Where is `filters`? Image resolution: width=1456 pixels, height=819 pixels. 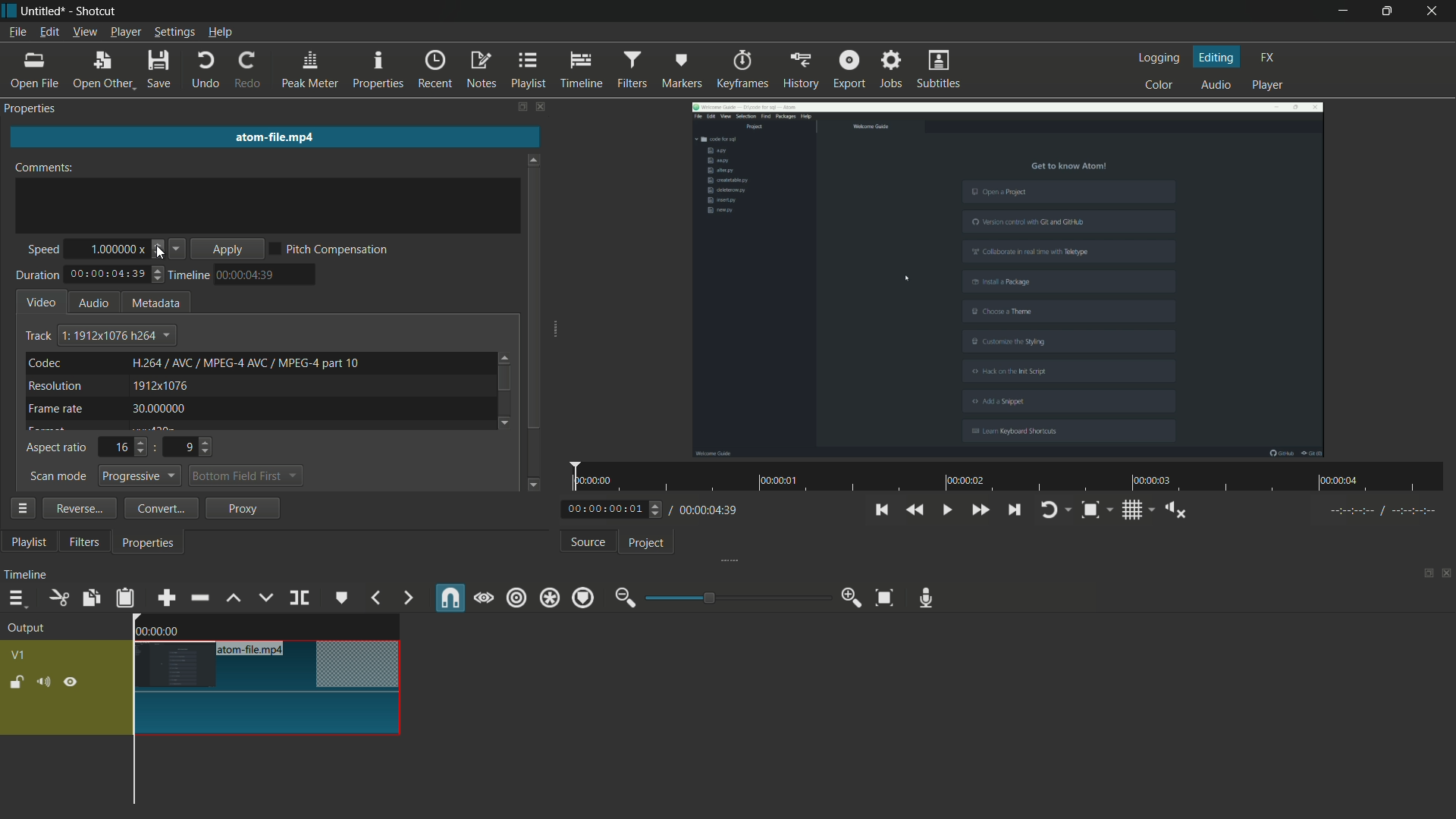
filters is located at coordinates (632, 69).